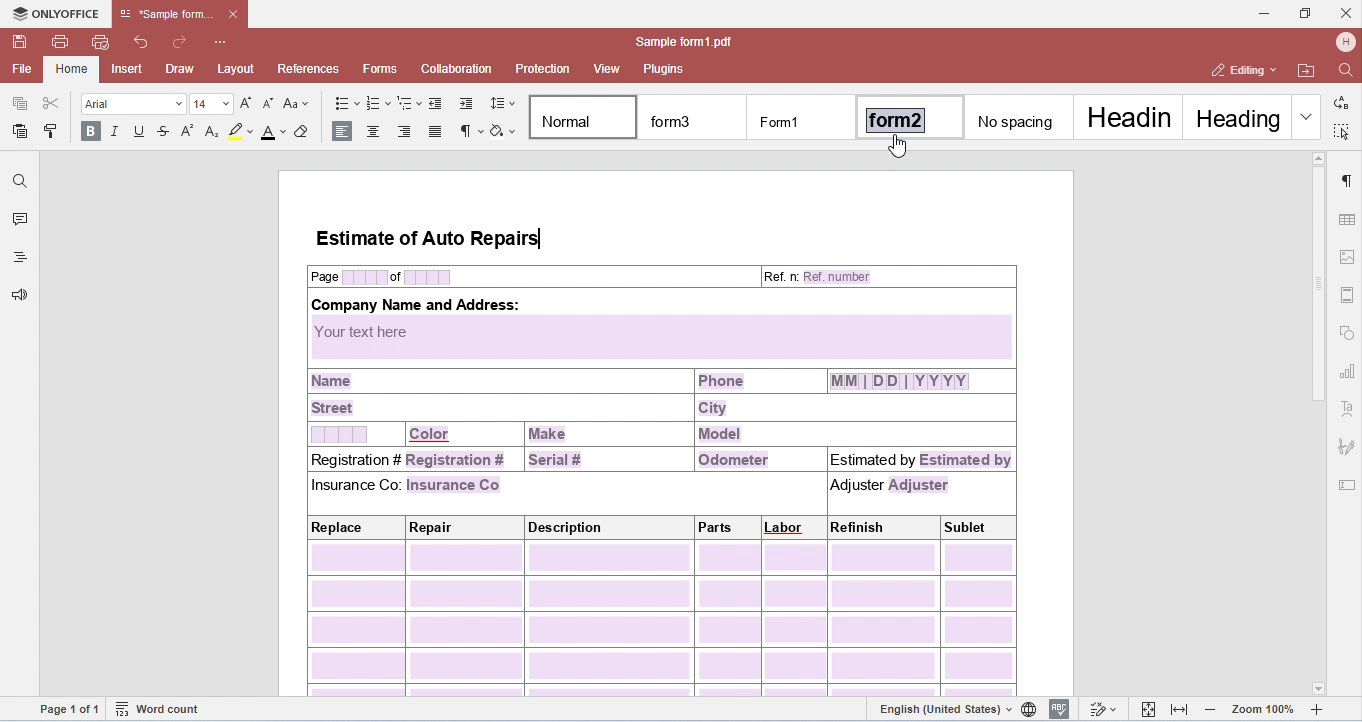 Image resolution: width=1362 pixels, height=722 pixels. What do you see at coordinates (801, 118) in the screenshot?
I see `form1` at bounding box center [801, 118].